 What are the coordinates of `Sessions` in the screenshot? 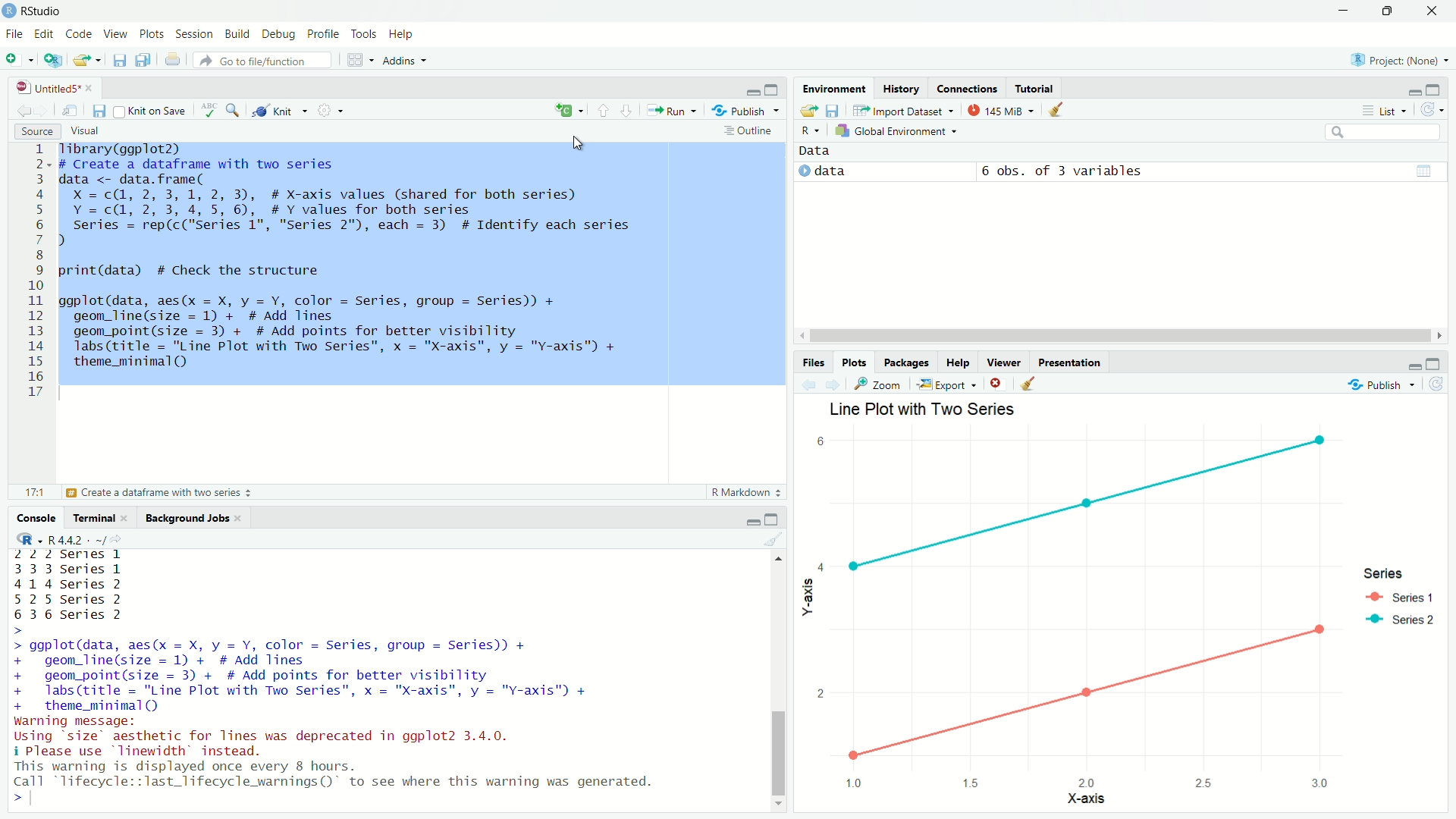 It's located at (194, 36).